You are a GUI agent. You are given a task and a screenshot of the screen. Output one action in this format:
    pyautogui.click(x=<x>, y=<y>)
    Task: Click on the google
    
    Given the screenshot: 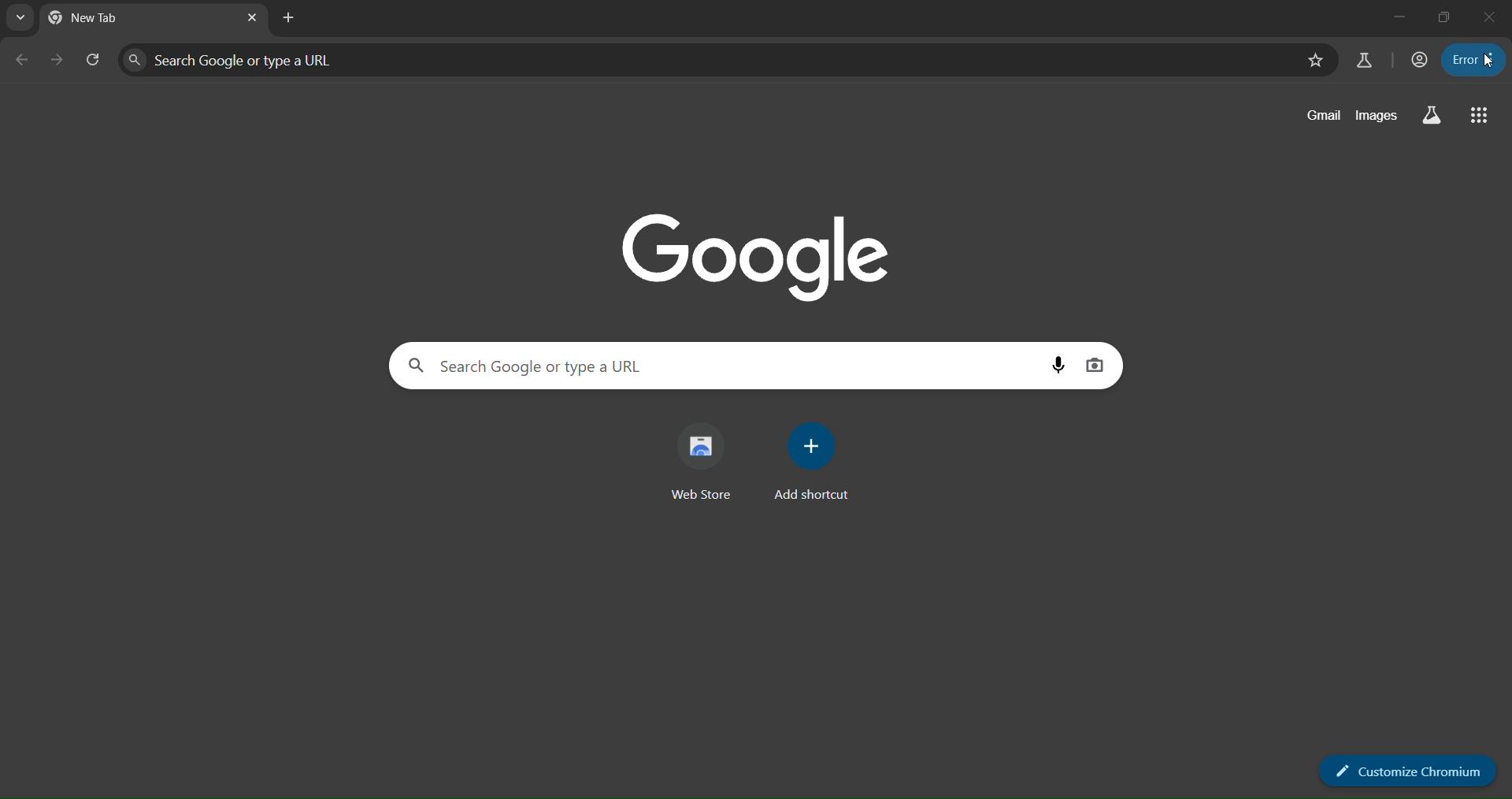 What is the action you would take?
    pyautogui.click(x=765, y=258)
    